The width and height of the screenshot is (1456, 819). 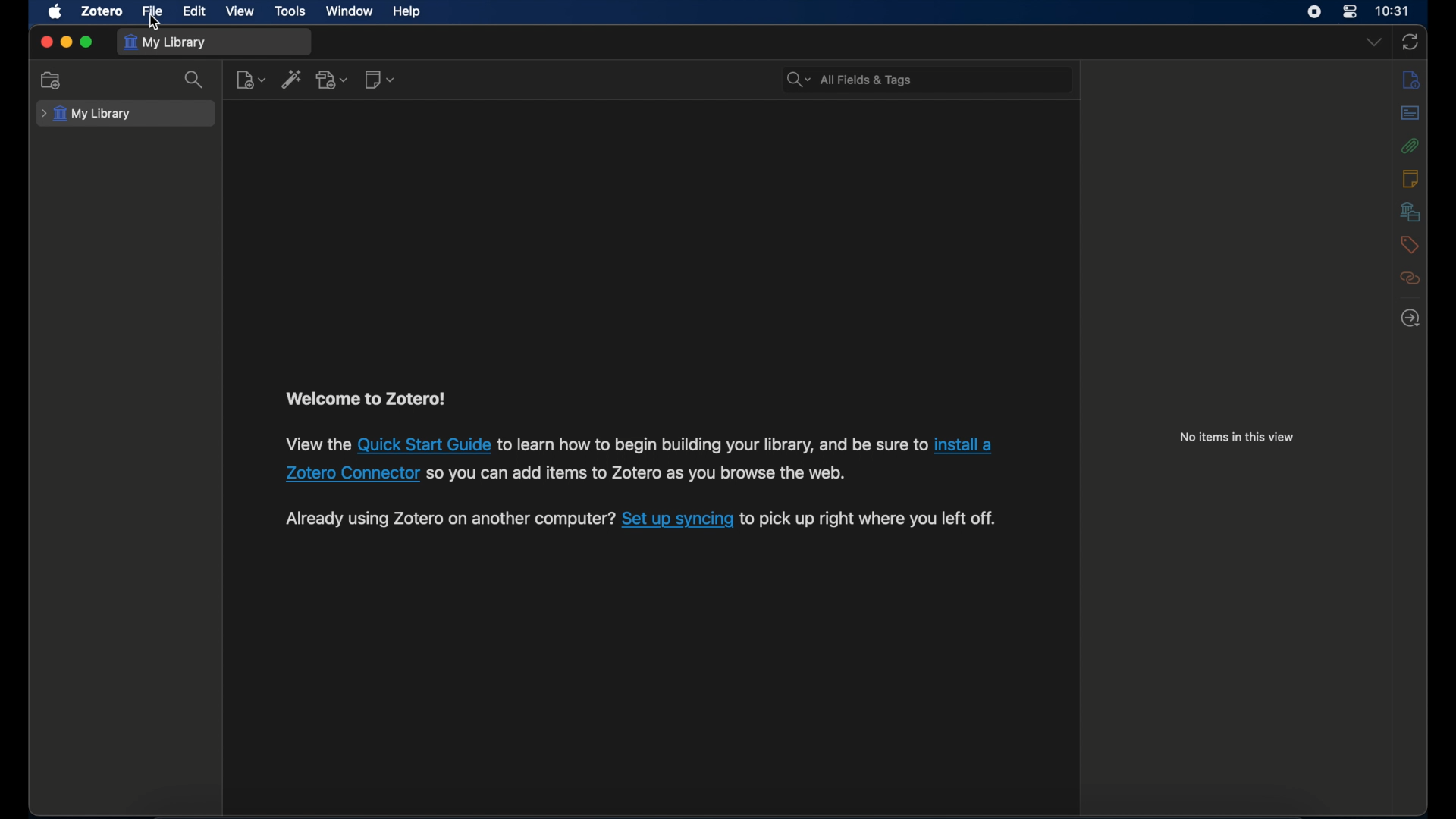 I want to click on link, so click(x=676, y=519).